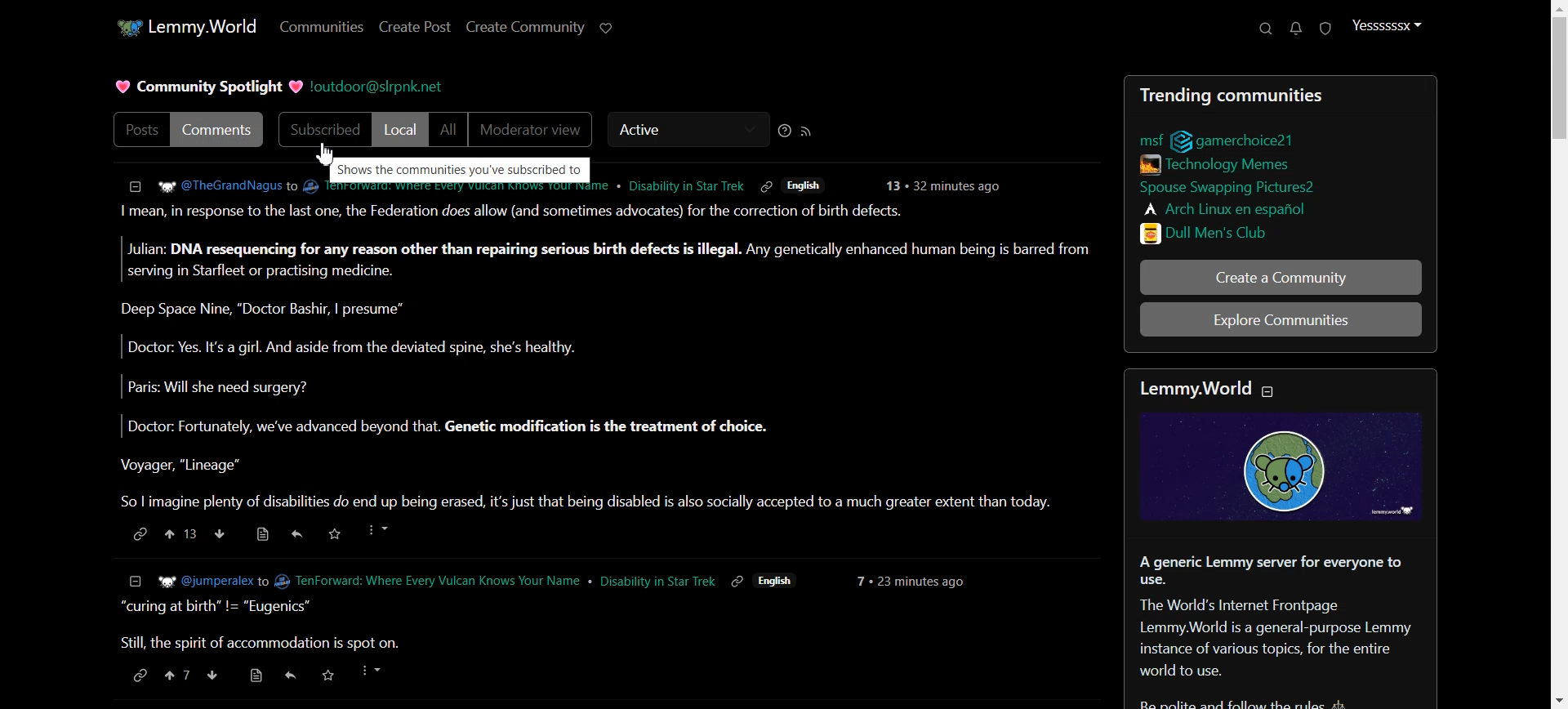  I want to click on LInks, so click(1224, 207).